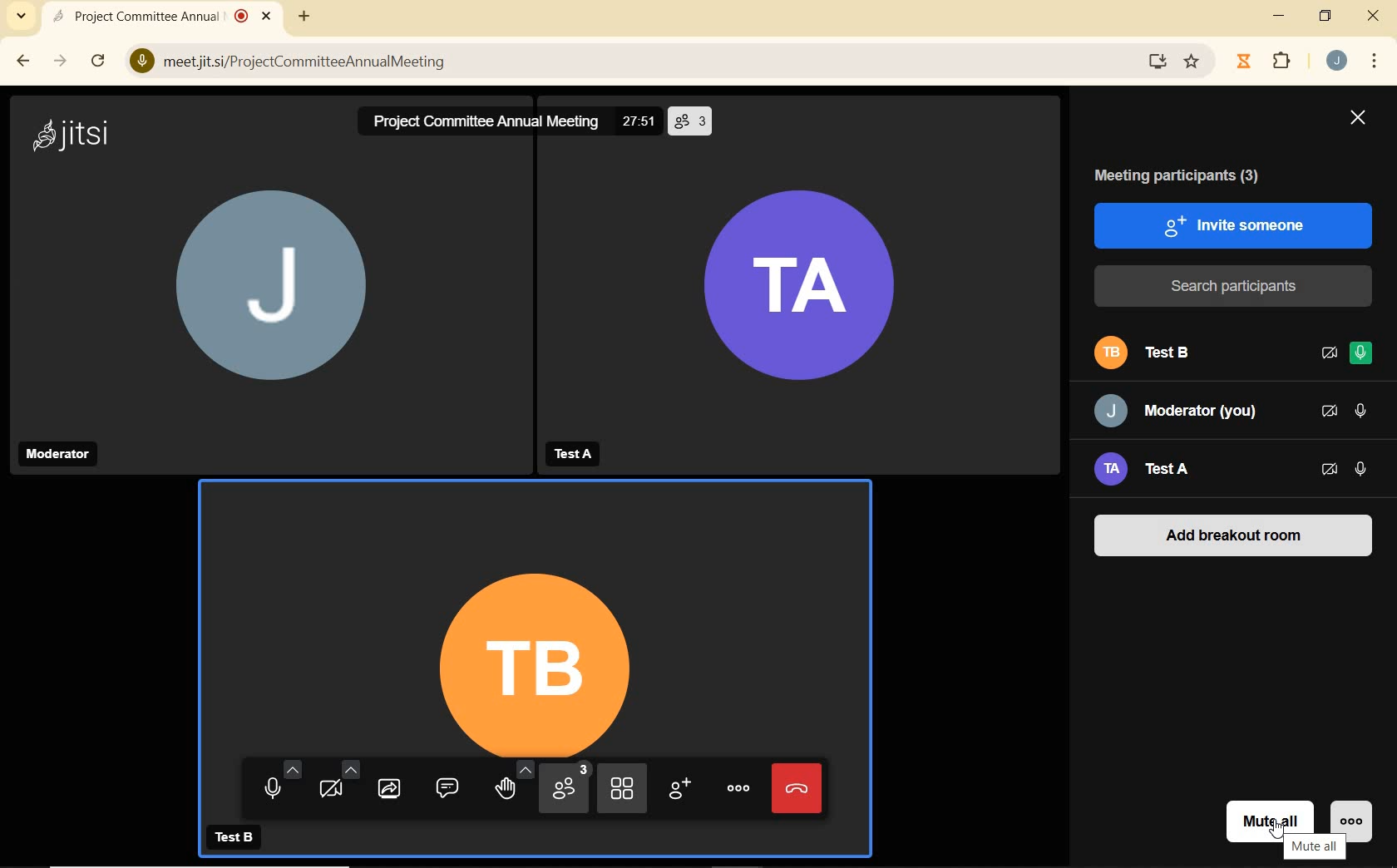 The height and width of the screenshot is (868, 1397). What do you see at coordinates (1360, 468) in the screenshot?
I see `MICROPHONE` at bounding box center [1360, 468].